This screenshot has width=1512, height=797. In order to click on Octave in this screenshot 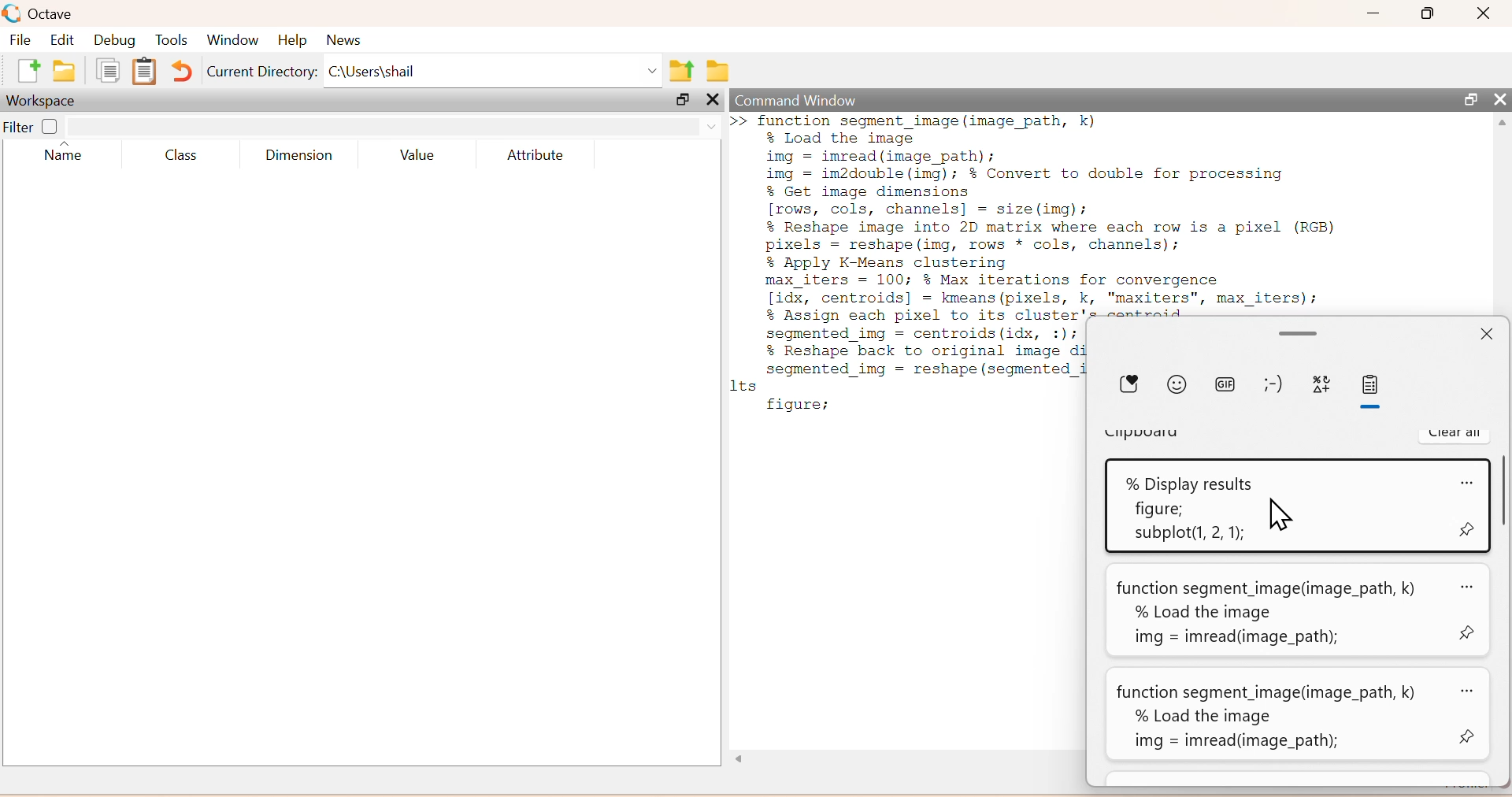, I will do `click(57, 13)`.